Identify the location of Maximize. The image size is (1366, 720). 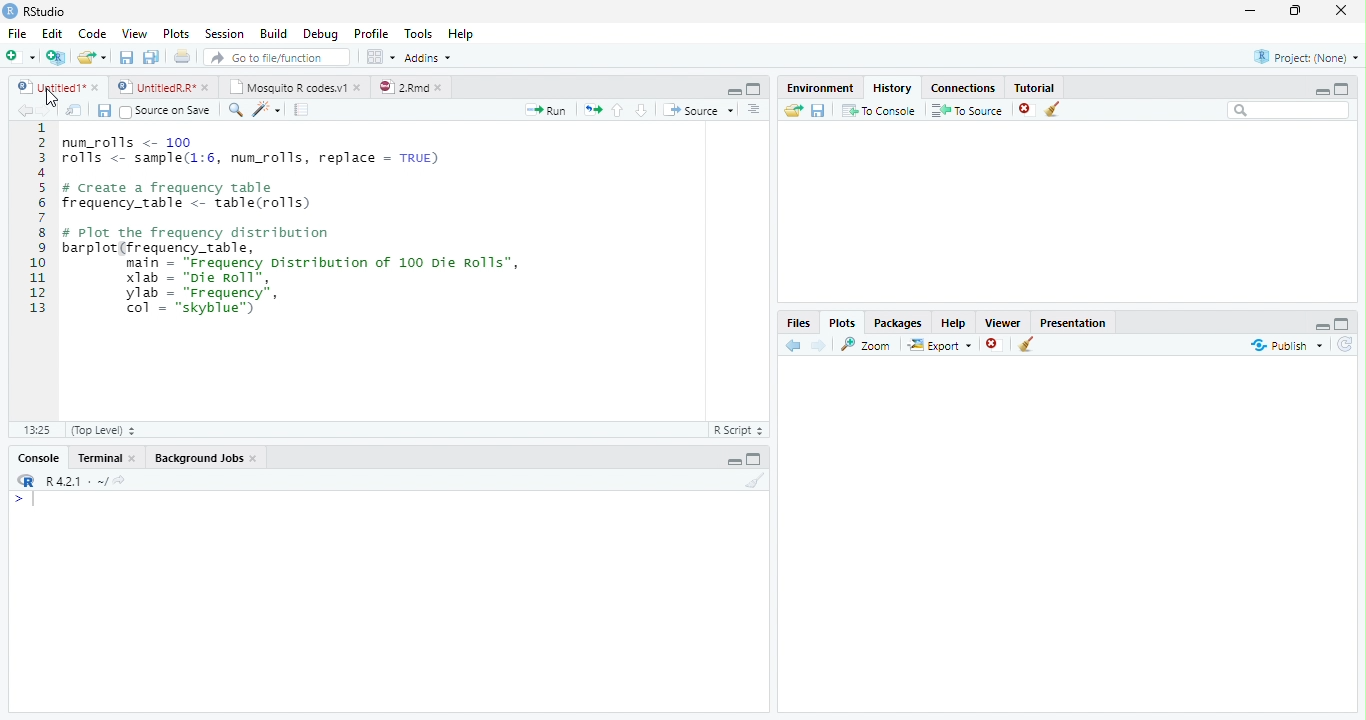
(1296, 11).